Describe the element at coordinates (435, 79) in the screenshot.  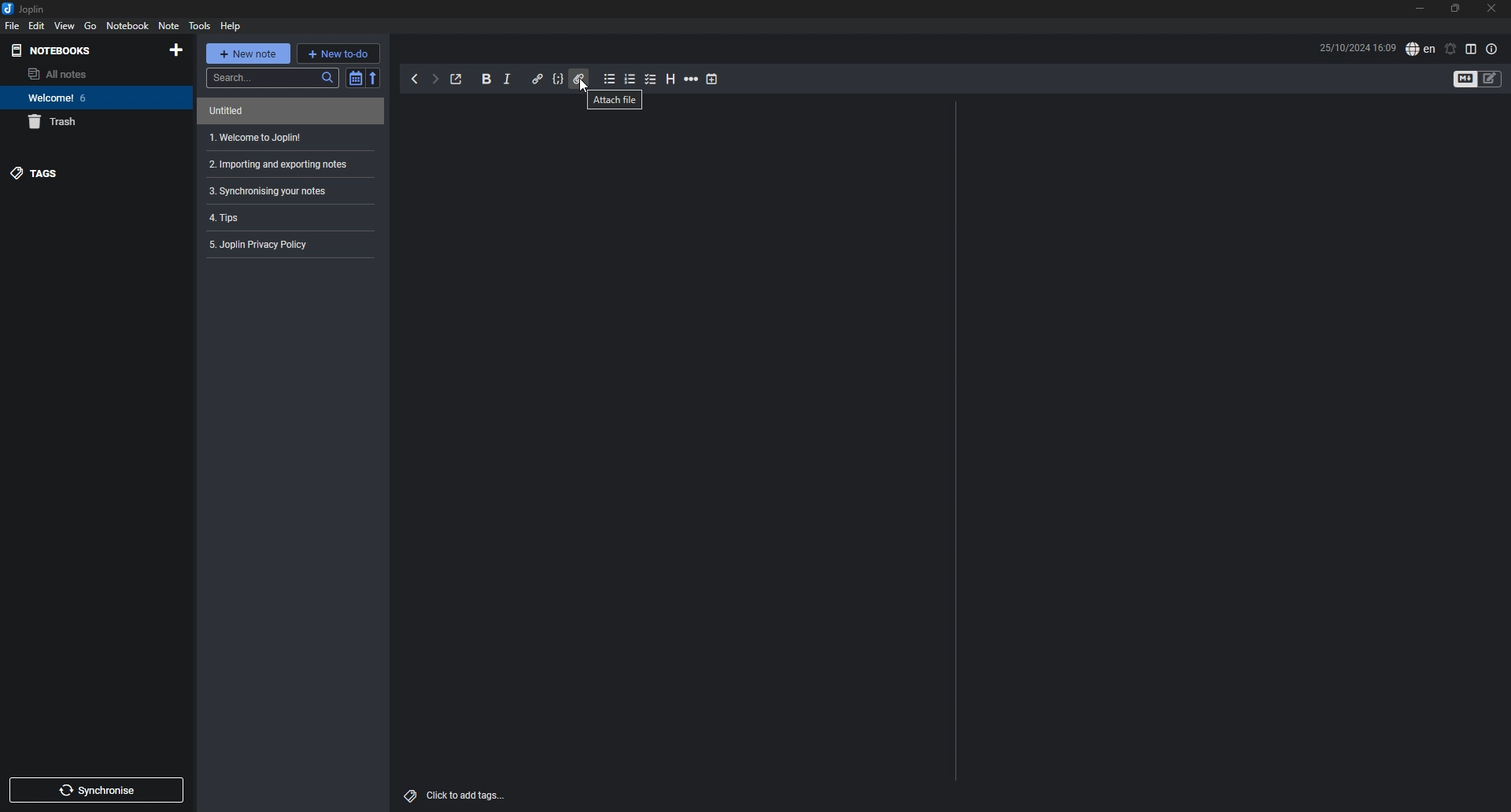
I see `forward` at that location.